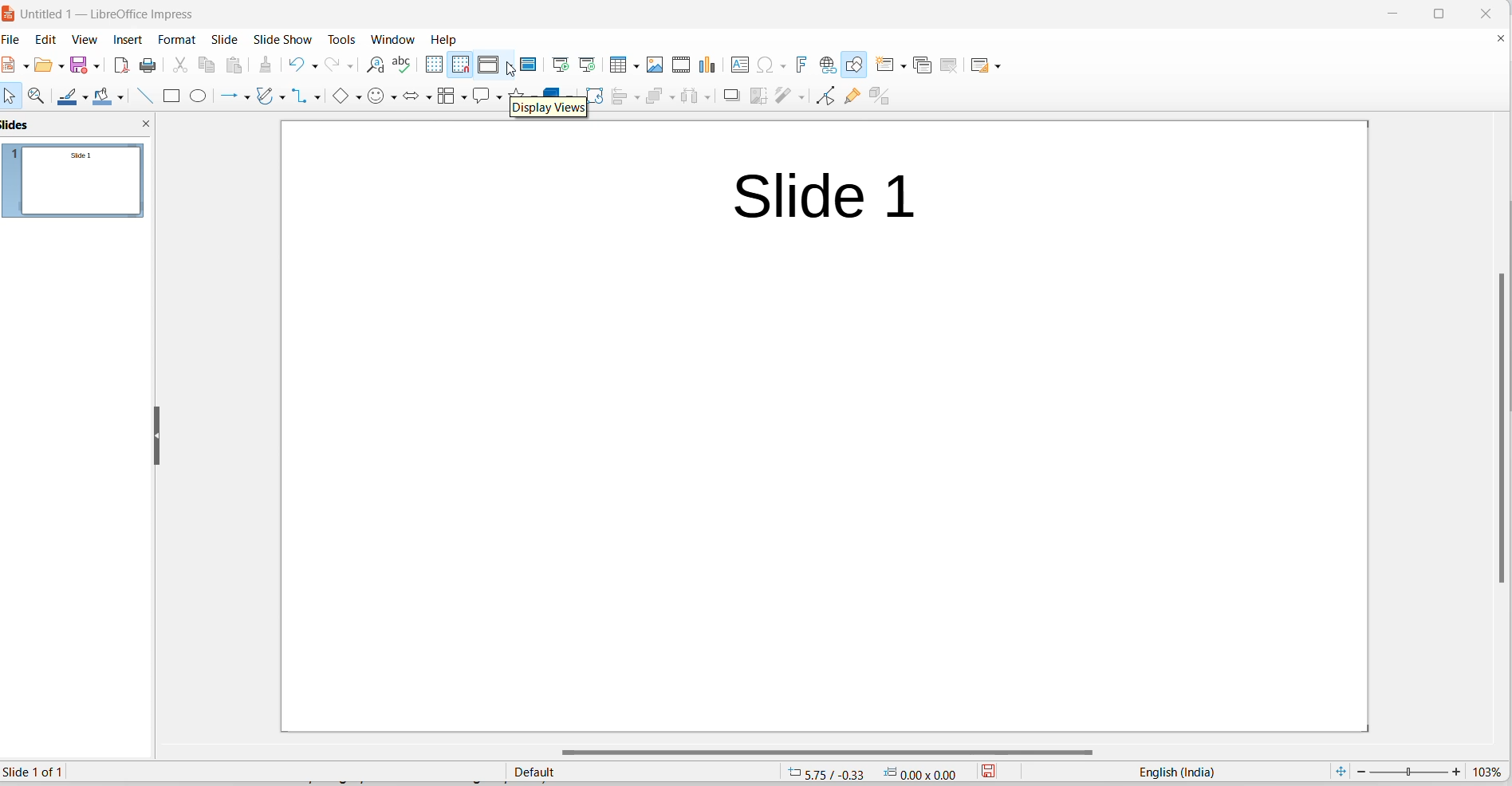  What do you see at coordinates (490, 65) in the screenshot?
I see `display views icons` at bounding box center [490, 65].